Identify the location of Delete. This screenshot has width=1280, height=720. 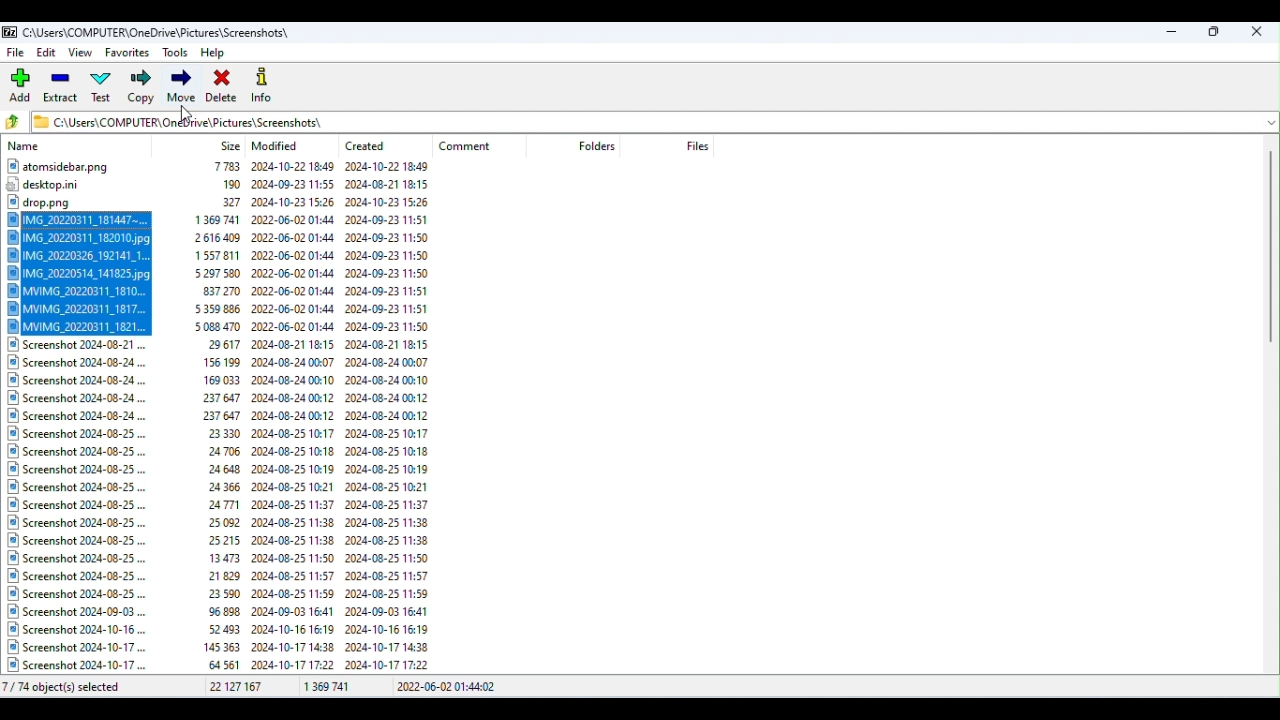
(223, 85).